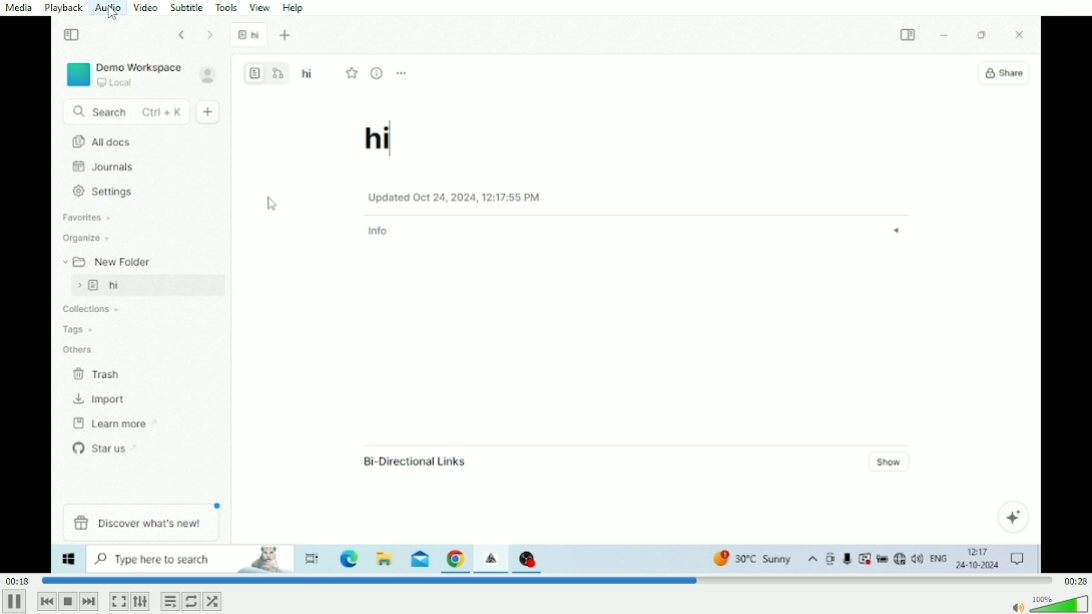 The height and width of the screenshot is (614, 1092). Describe the element at coordinates (111, 13) in the screenshot. I see `cursor` at that location.